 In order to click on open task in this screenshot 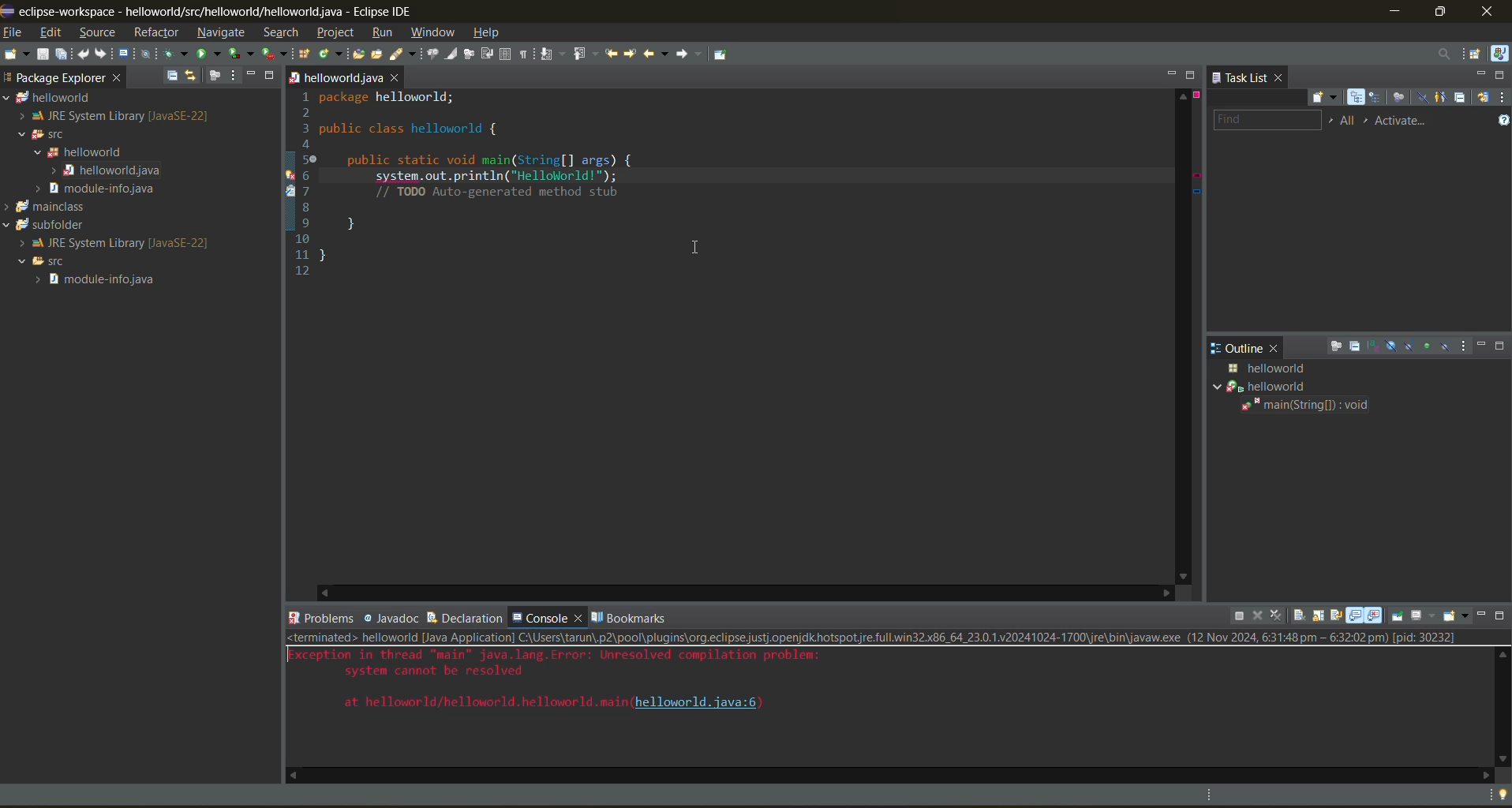, I will do `click(378, 54)`.